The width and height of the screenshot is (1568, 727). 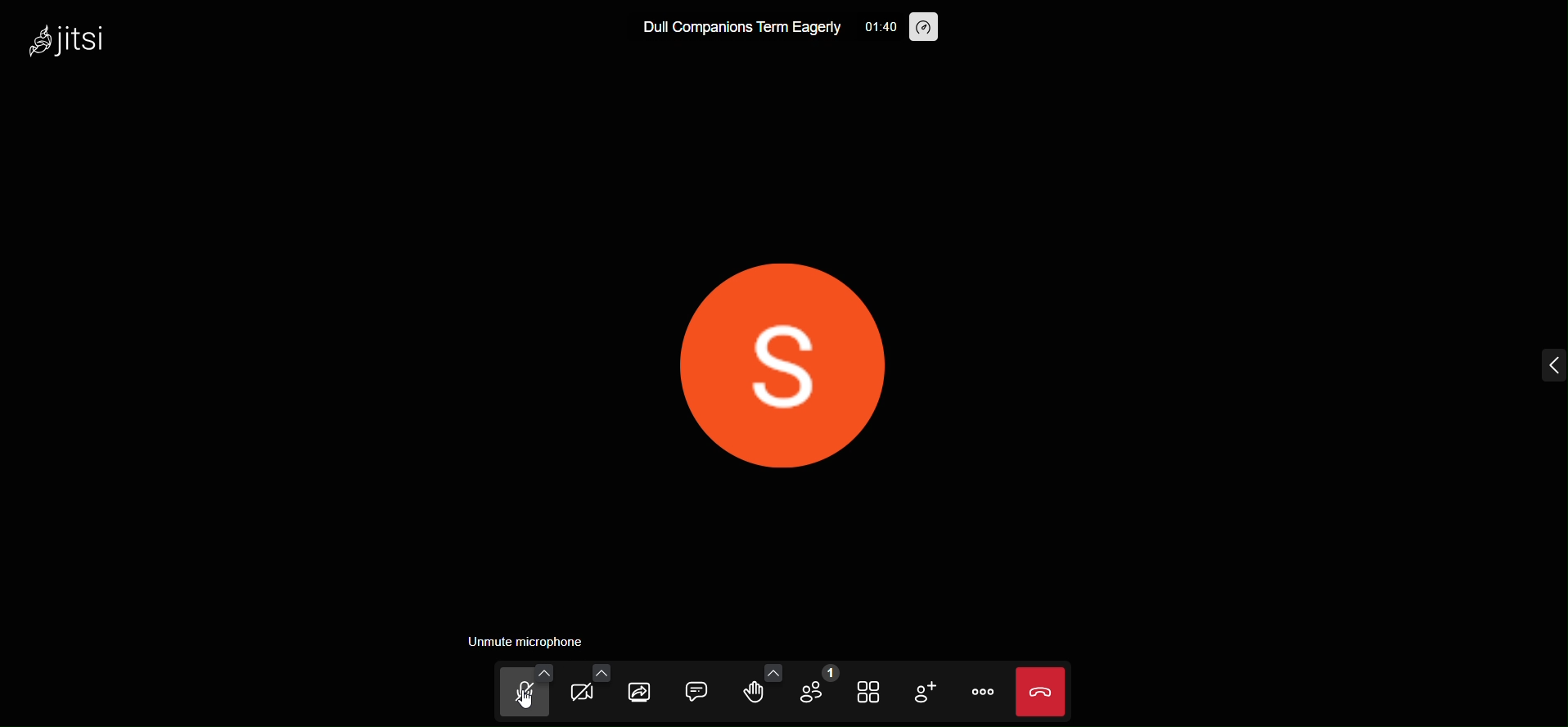 What do you see at coordinates (695, 689) in the screenshot?
I see `chat` at bounding box center [695, 689].